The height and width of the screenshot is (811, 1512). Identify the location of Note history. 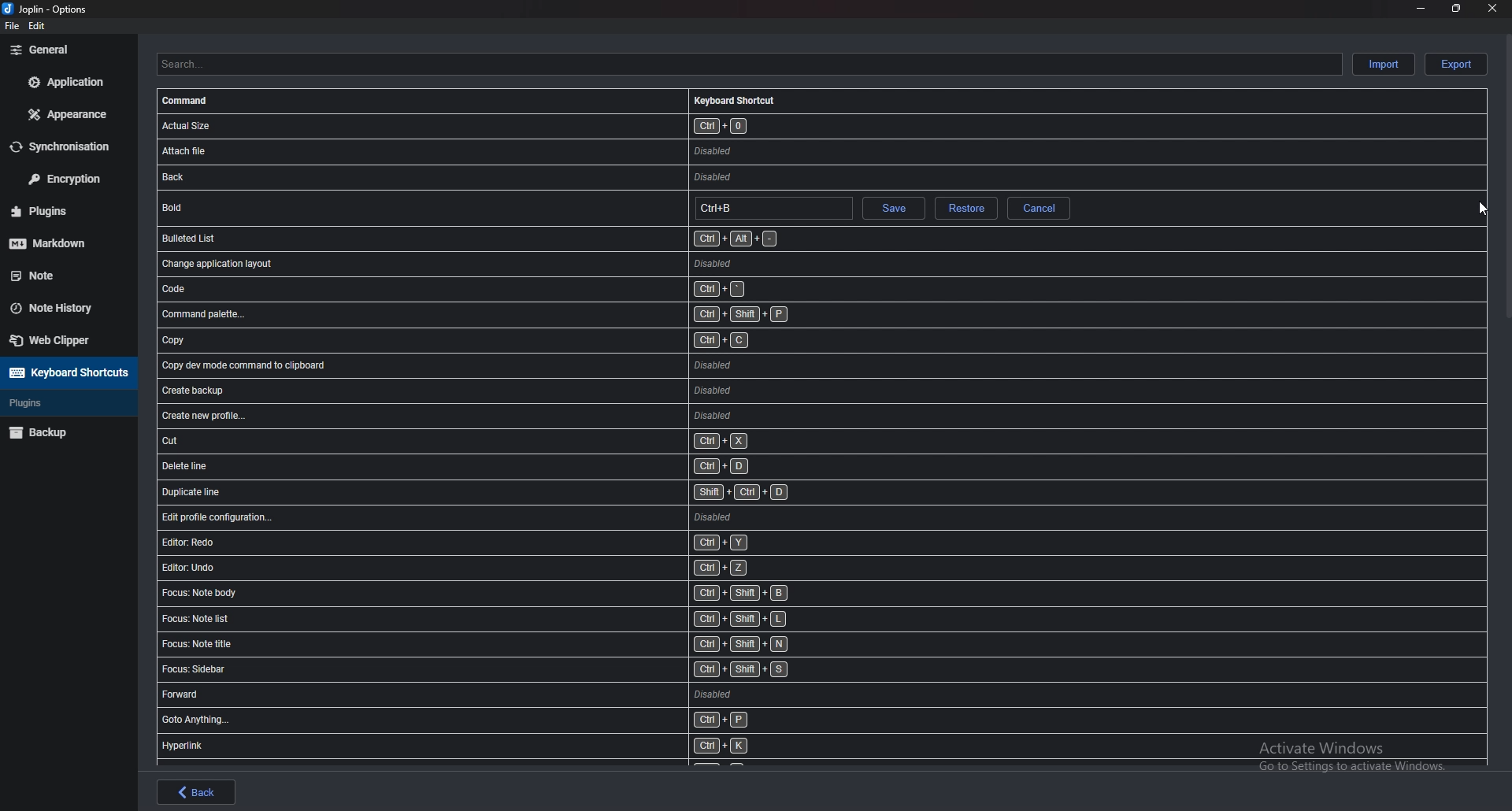
(65, 308).